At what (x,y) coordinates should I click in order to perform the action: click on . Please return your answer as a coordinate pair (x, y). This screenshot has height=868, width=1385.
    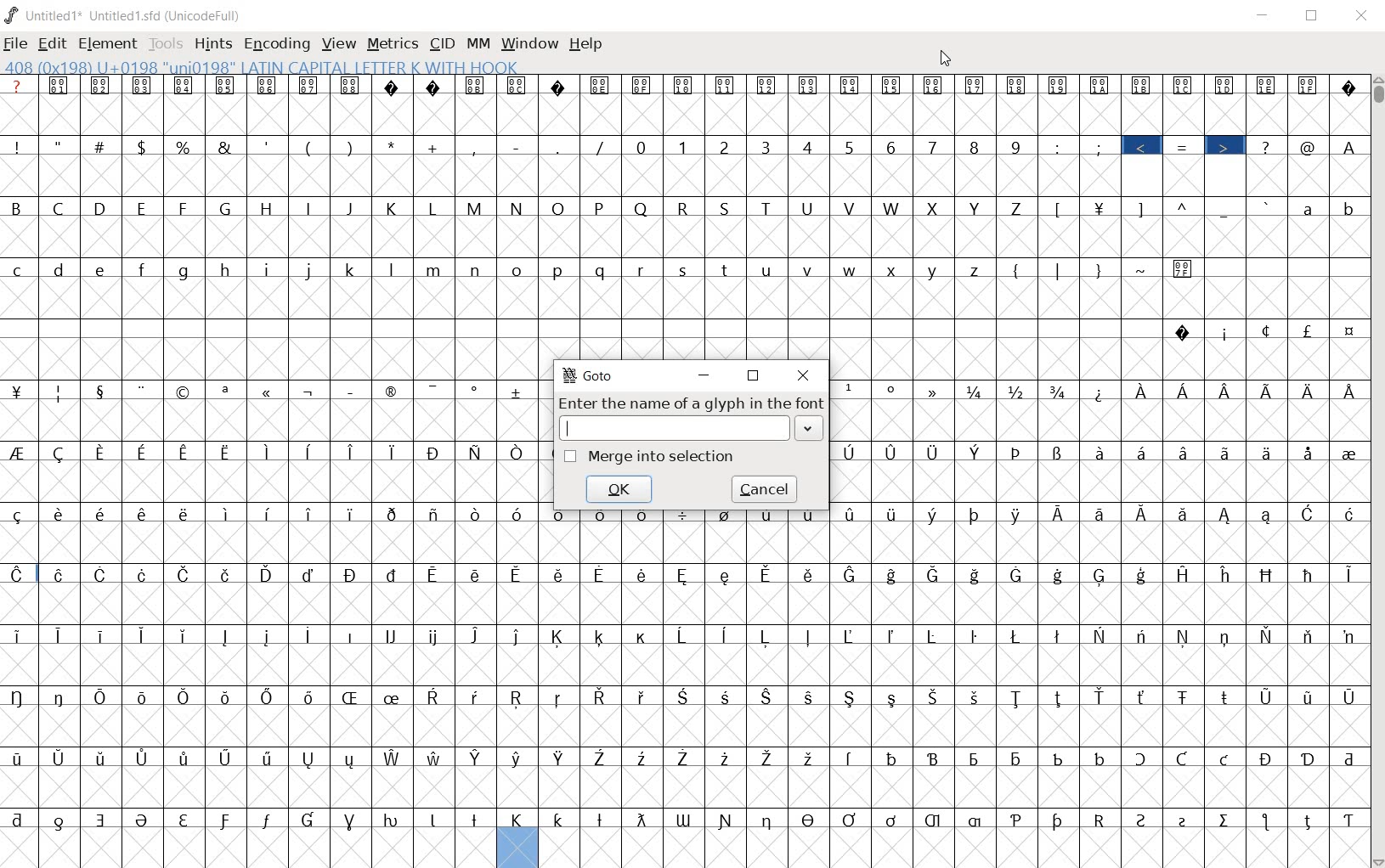
    Looking at the image, I should click on (273, 483).